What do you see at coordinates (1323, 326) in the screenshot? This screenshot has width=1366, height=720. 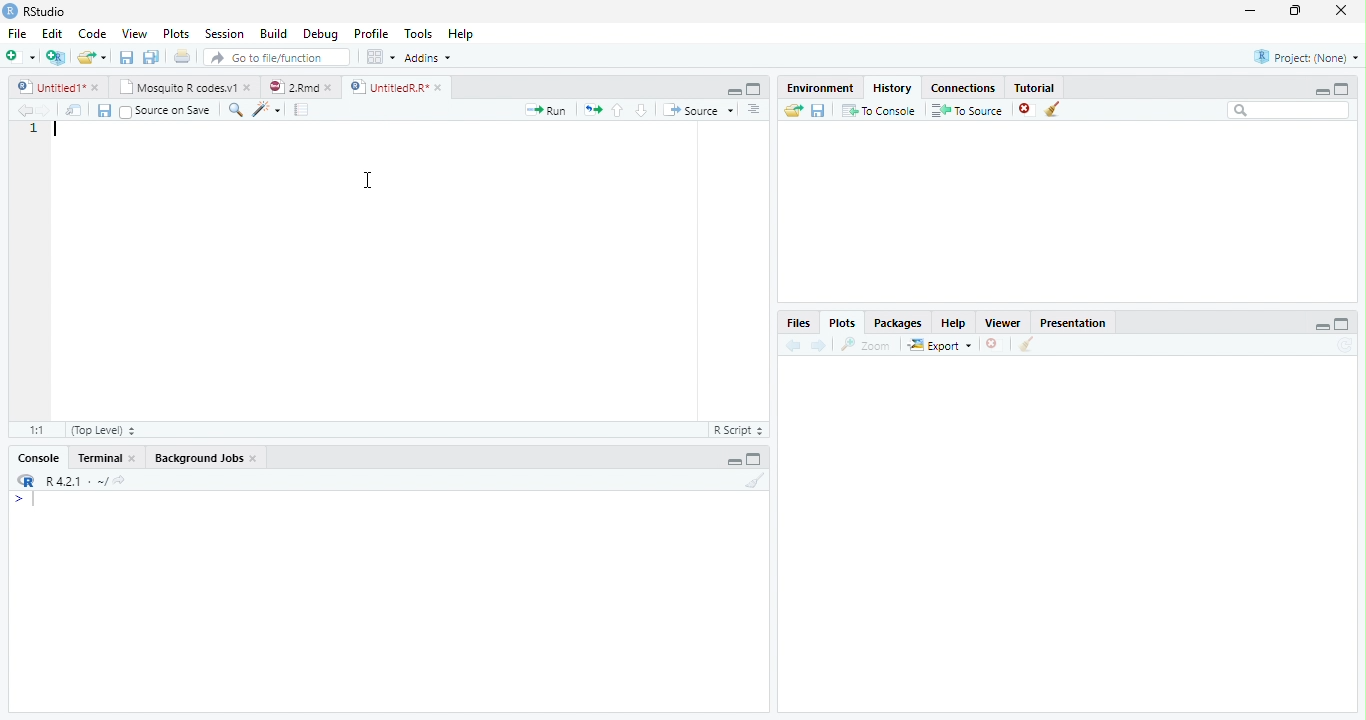 I see `minimize` at bounding box center [1323, 326].